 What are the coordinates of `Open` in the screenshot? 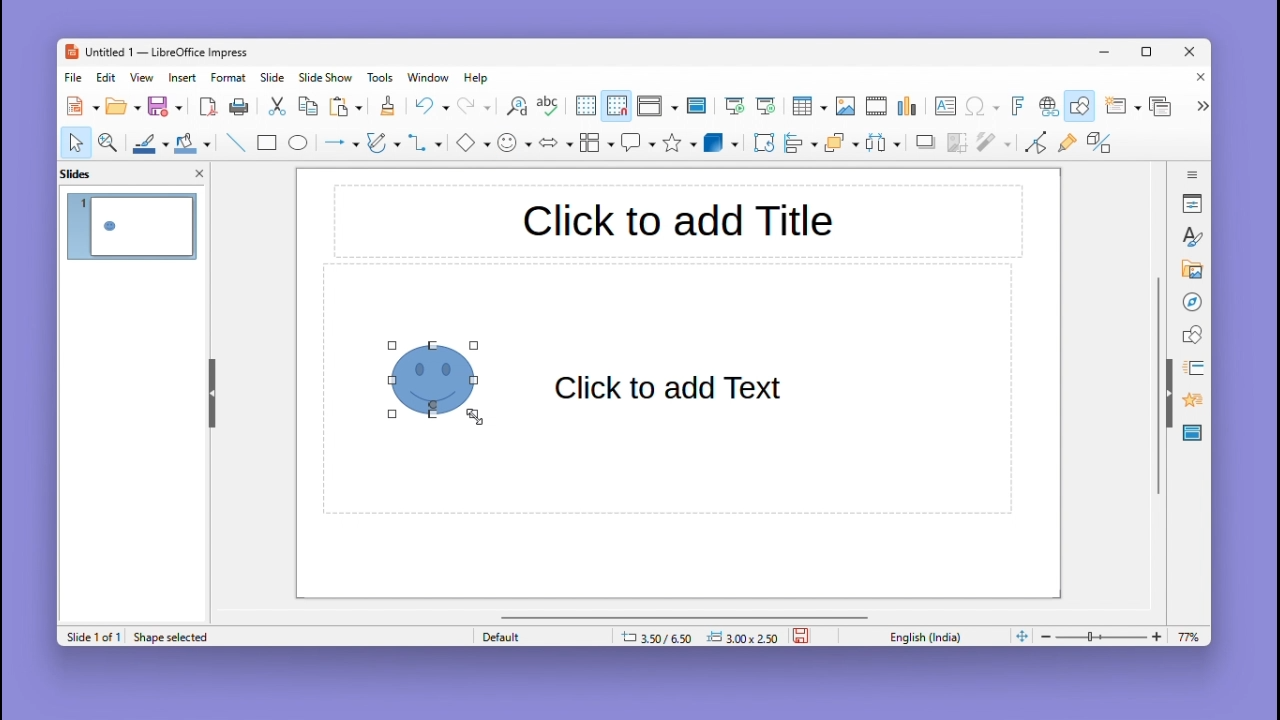 It's located at (123, 107).